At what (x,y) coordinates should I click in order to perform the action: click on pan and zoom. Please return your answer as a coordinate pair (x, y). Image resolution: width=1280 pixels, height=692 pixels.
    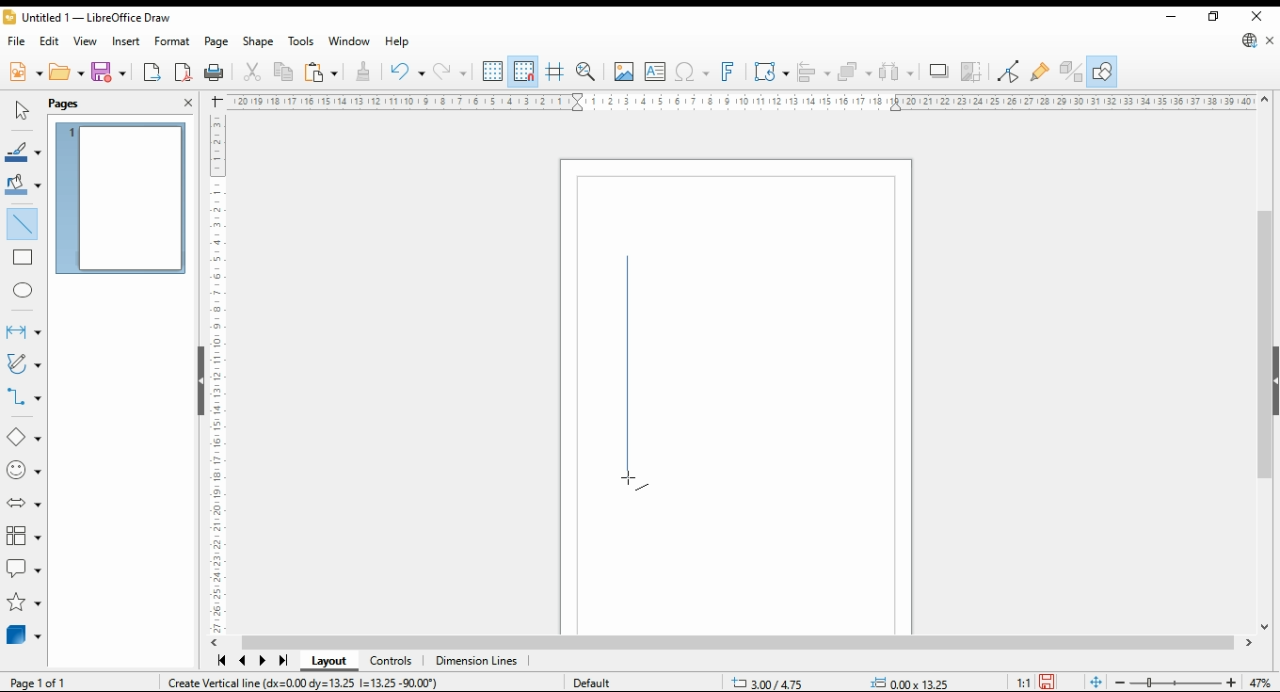
    Looking at the image, I should click on (586, 72).